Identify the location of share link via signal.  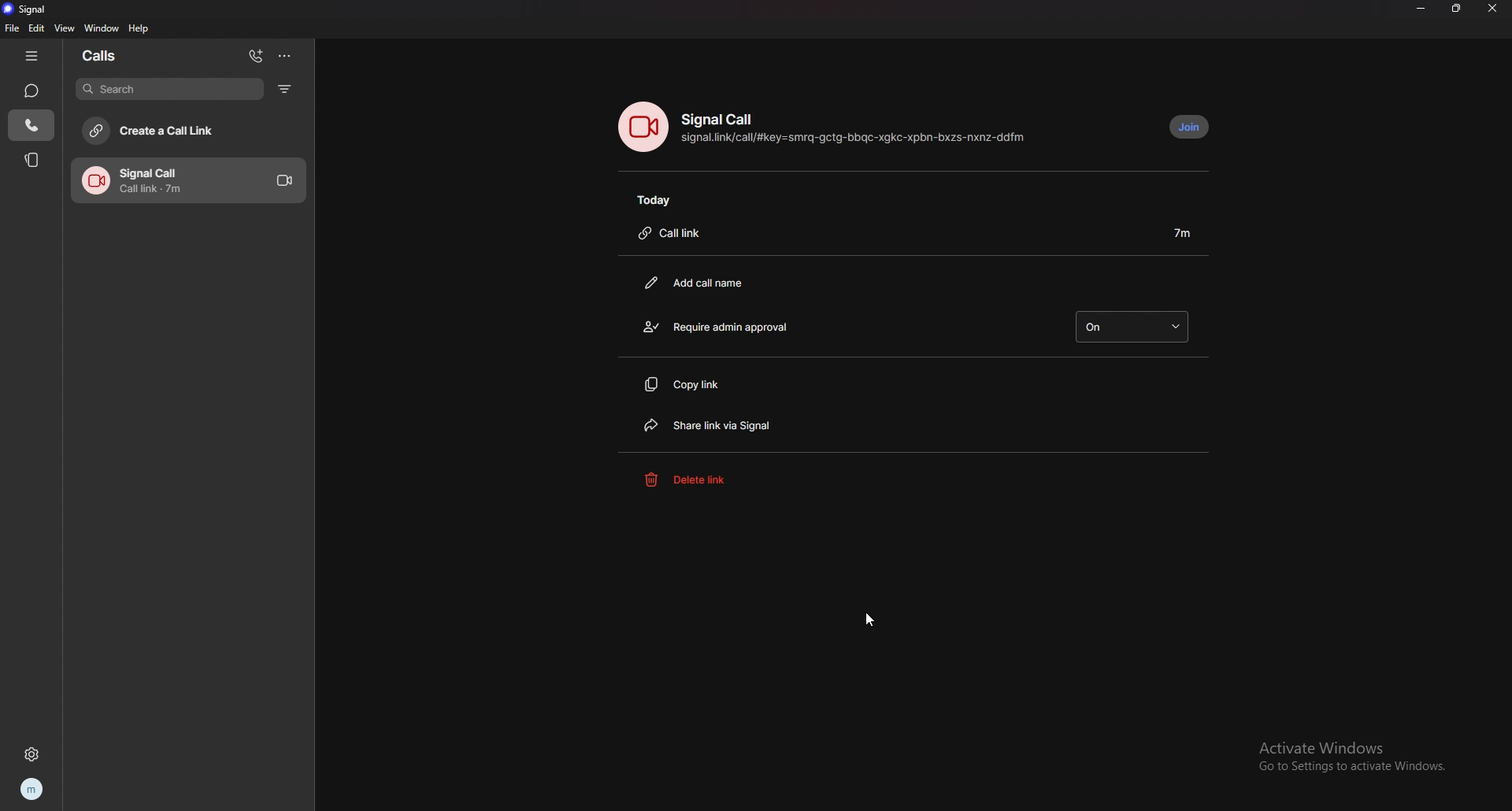
(739, 424).